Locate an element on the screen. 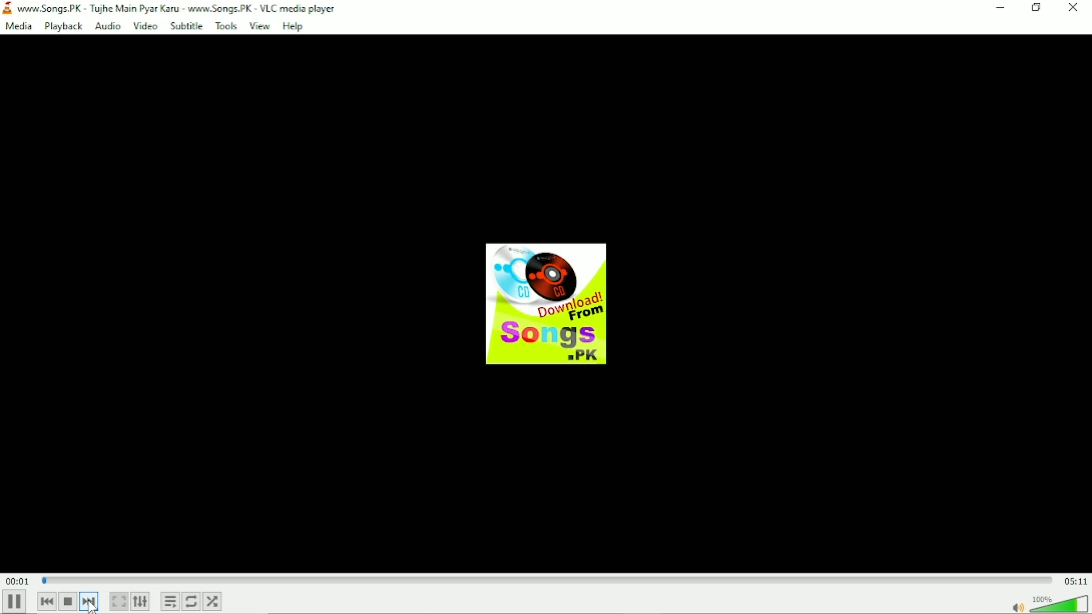 The image size is (1092, 614). Next is located at coordinates (91, 602).